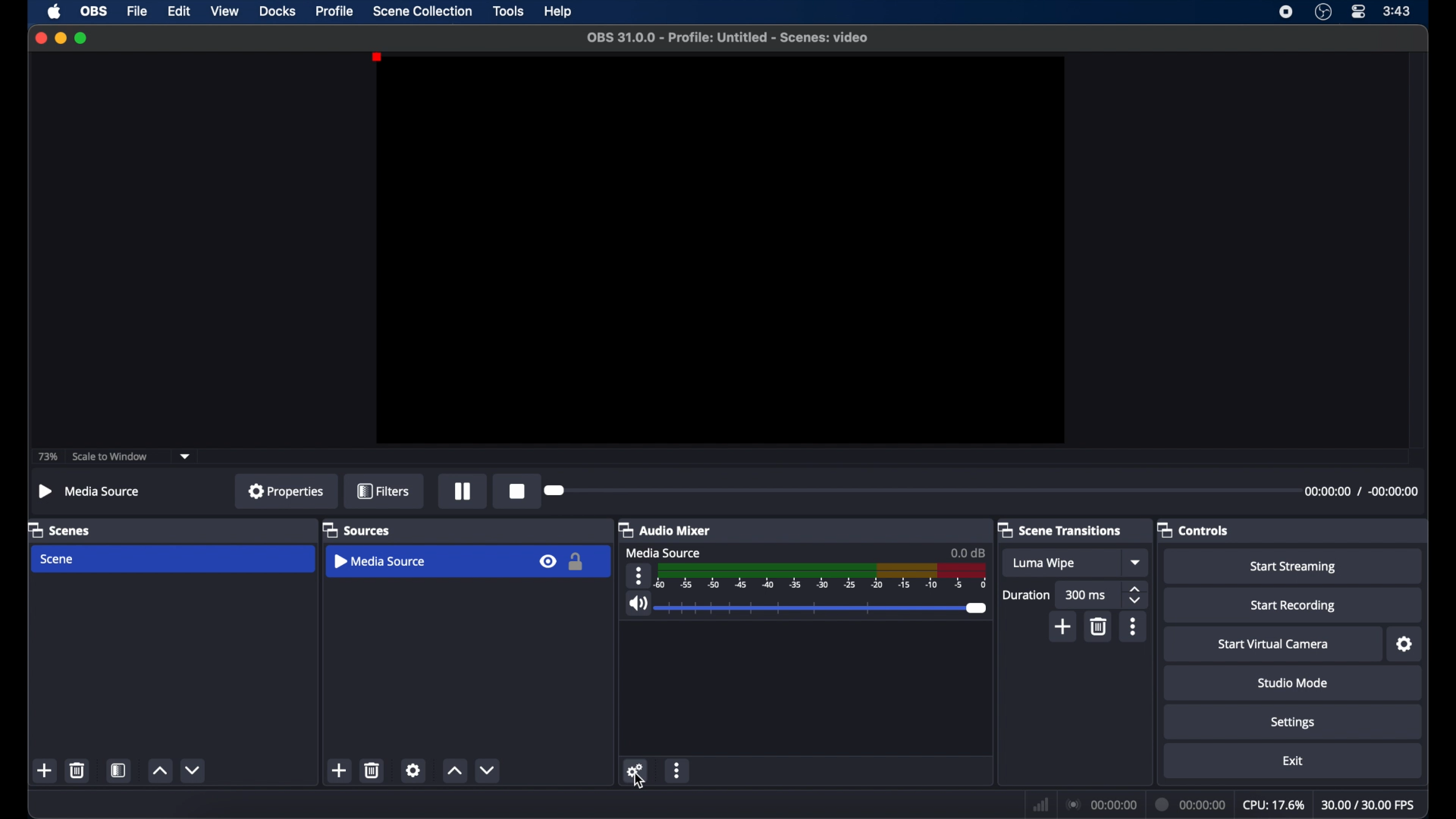 This screenshot has width=1456, height=819. What do you see at coordinates (83, 38) in the screenshot?
I see `maximize` at bounding box center [83, 38].